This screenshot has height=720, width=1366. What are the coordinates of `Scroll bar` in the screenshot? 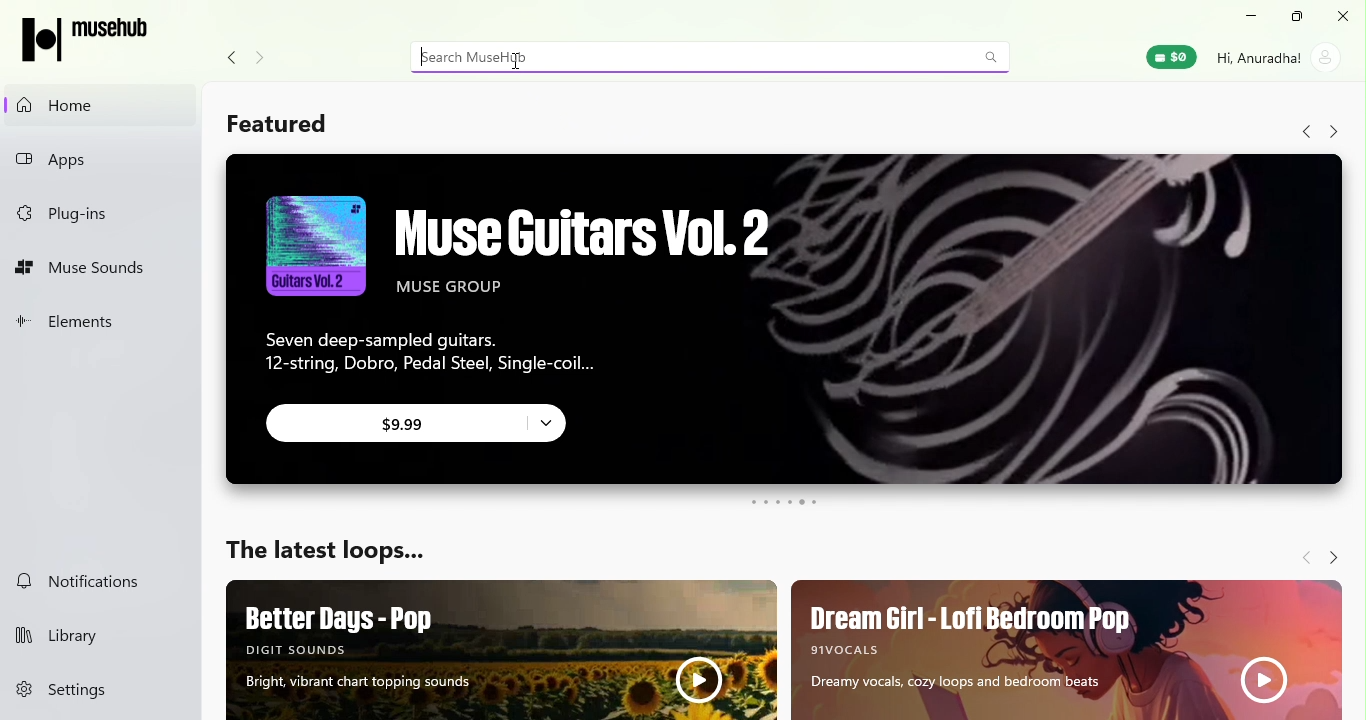 It's located at (1355, 406).